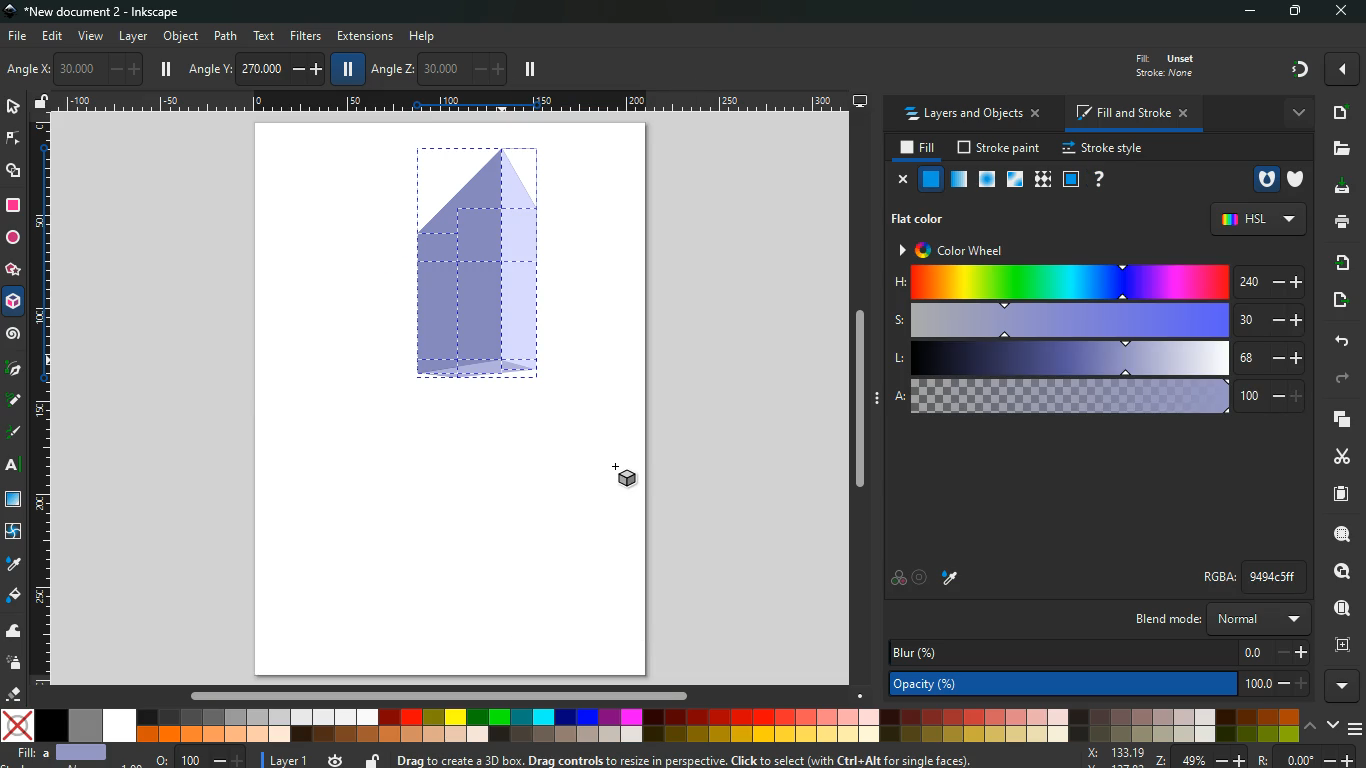  I want to click on layer 1, so click(290, 757).